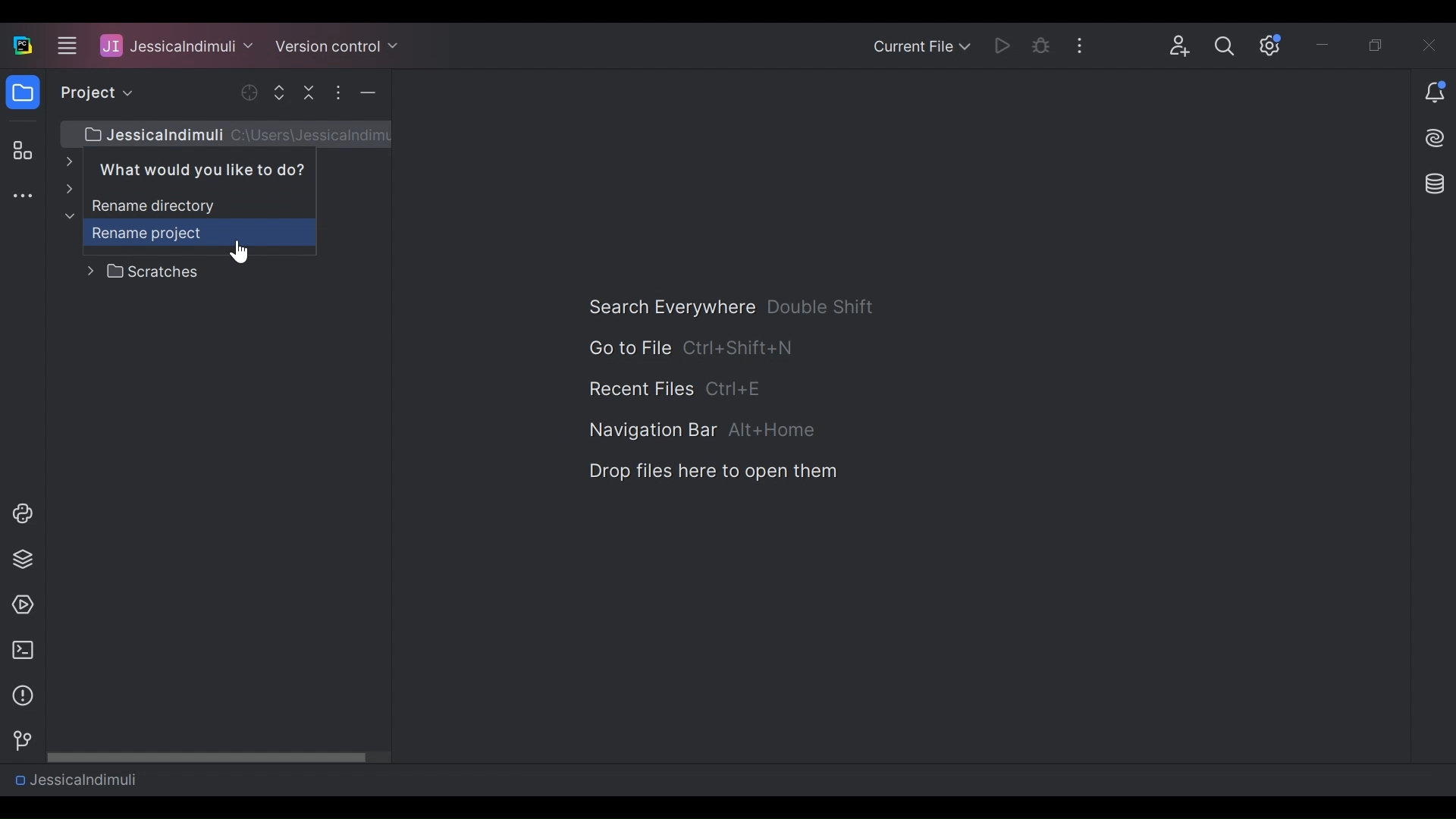  What do you see at coordinates (22, 197) in the screenshot?
I see `More tool windows` at bounding box center [22, 197].